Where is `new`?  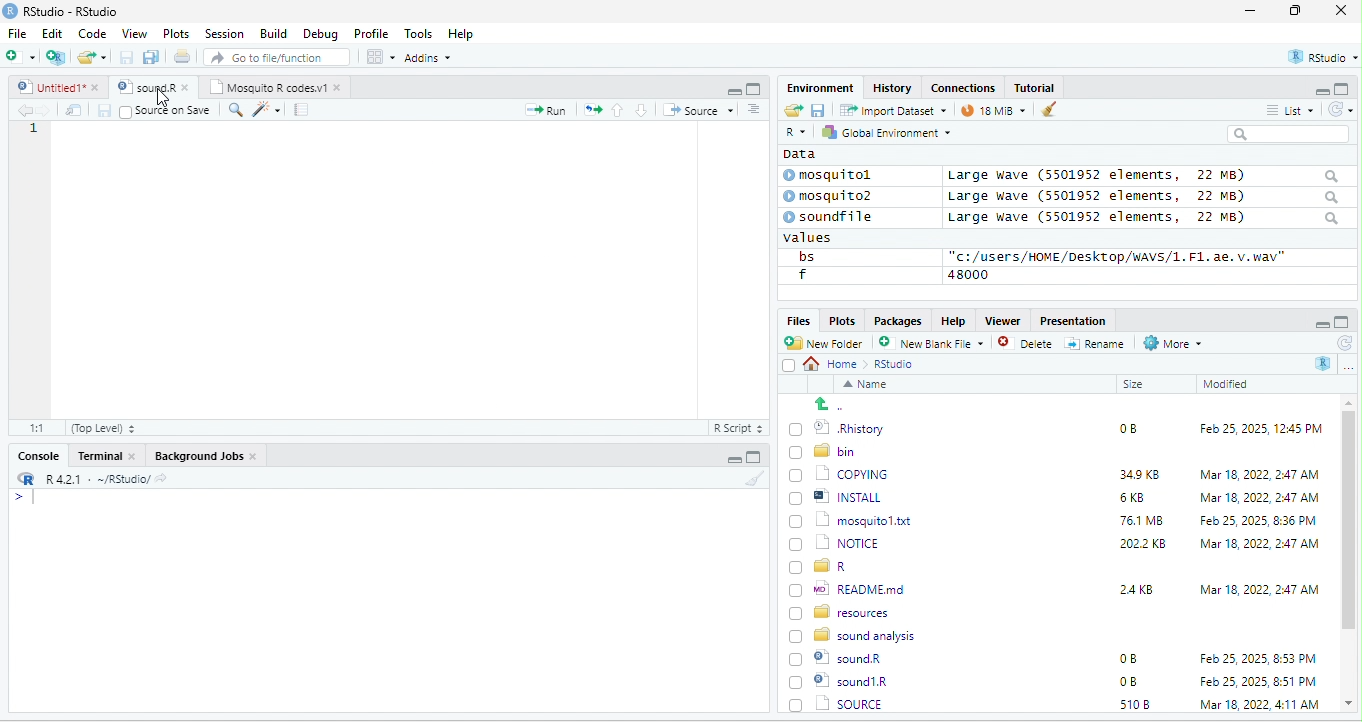
new is located at coordinates (20, 55).